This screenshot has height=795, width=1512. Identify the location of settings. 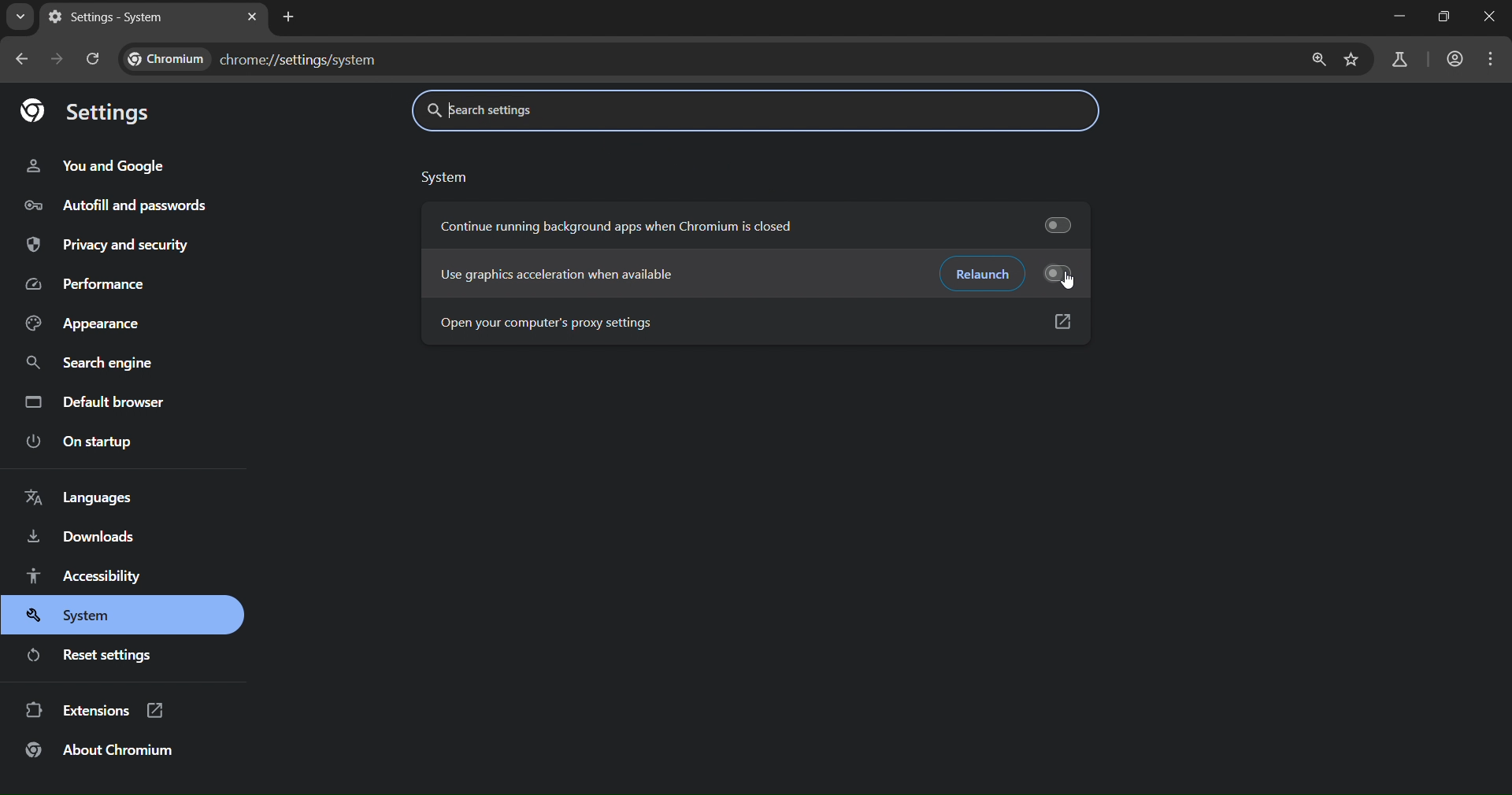
(95, 109).